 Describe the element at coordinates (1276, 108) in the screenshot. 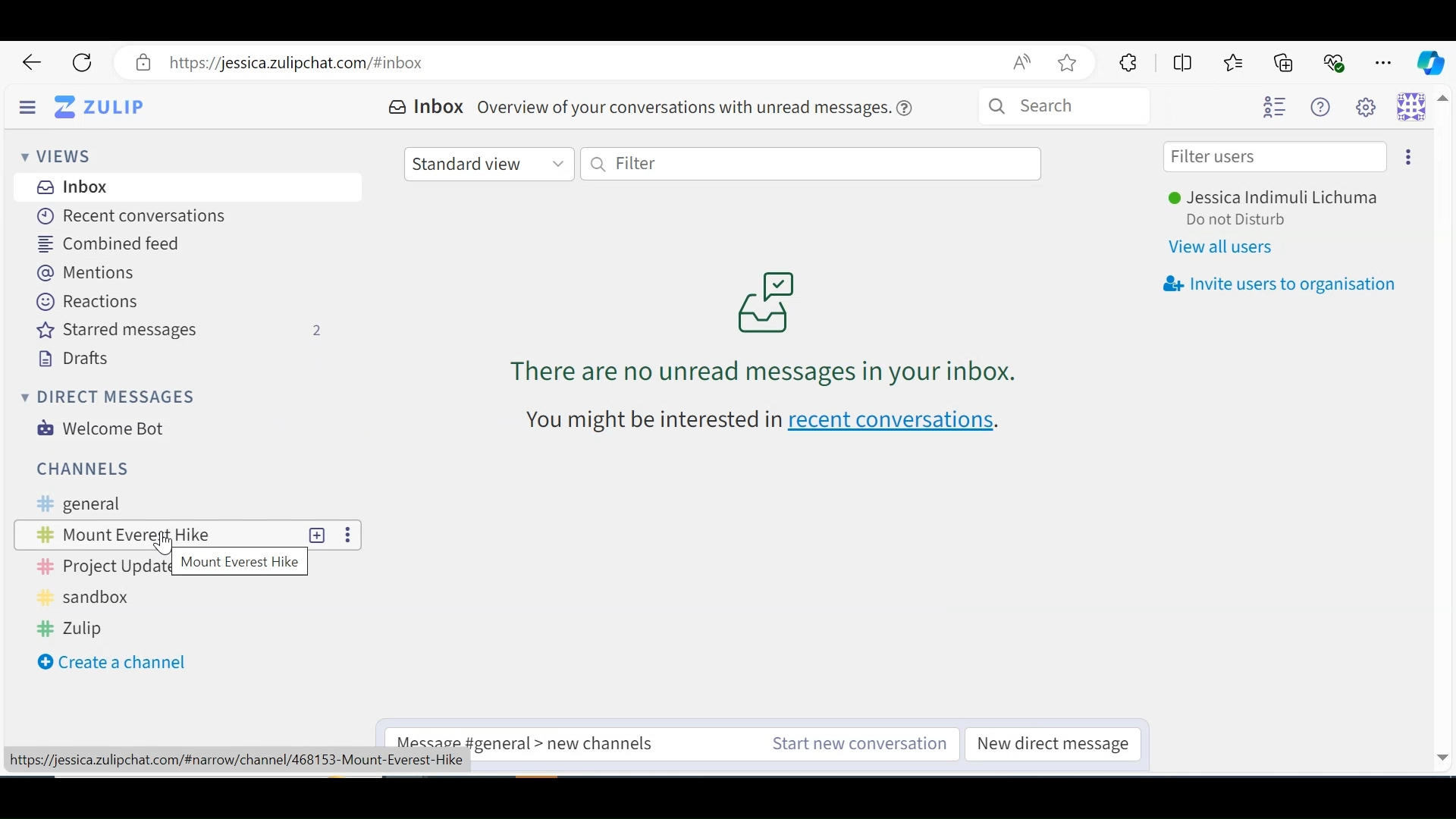

I see `Hide user list` at that location.